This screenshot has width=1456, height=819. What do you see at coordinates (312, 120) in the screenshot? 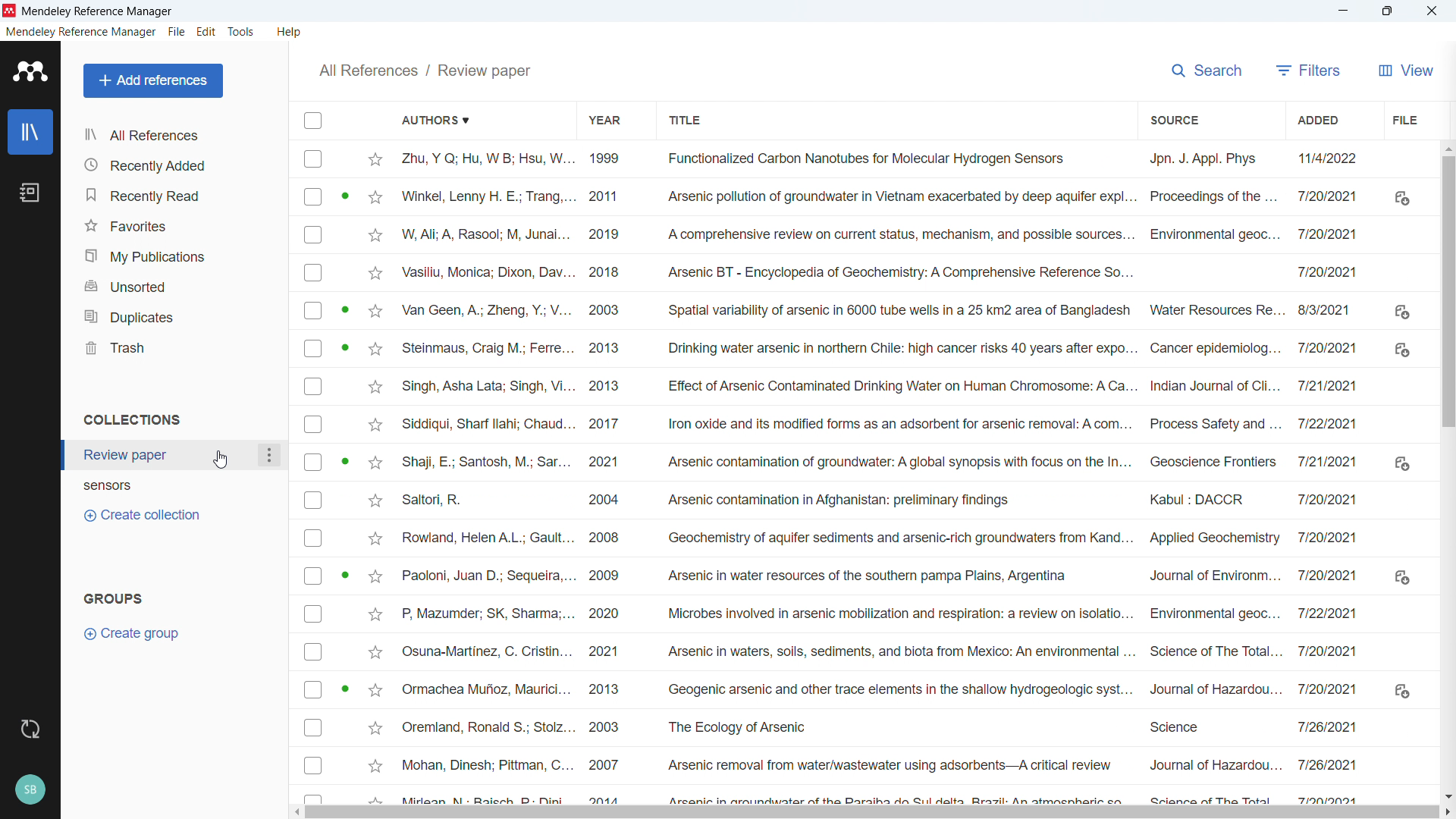
I see `Select all entries ` at bounding box center [312, 120].